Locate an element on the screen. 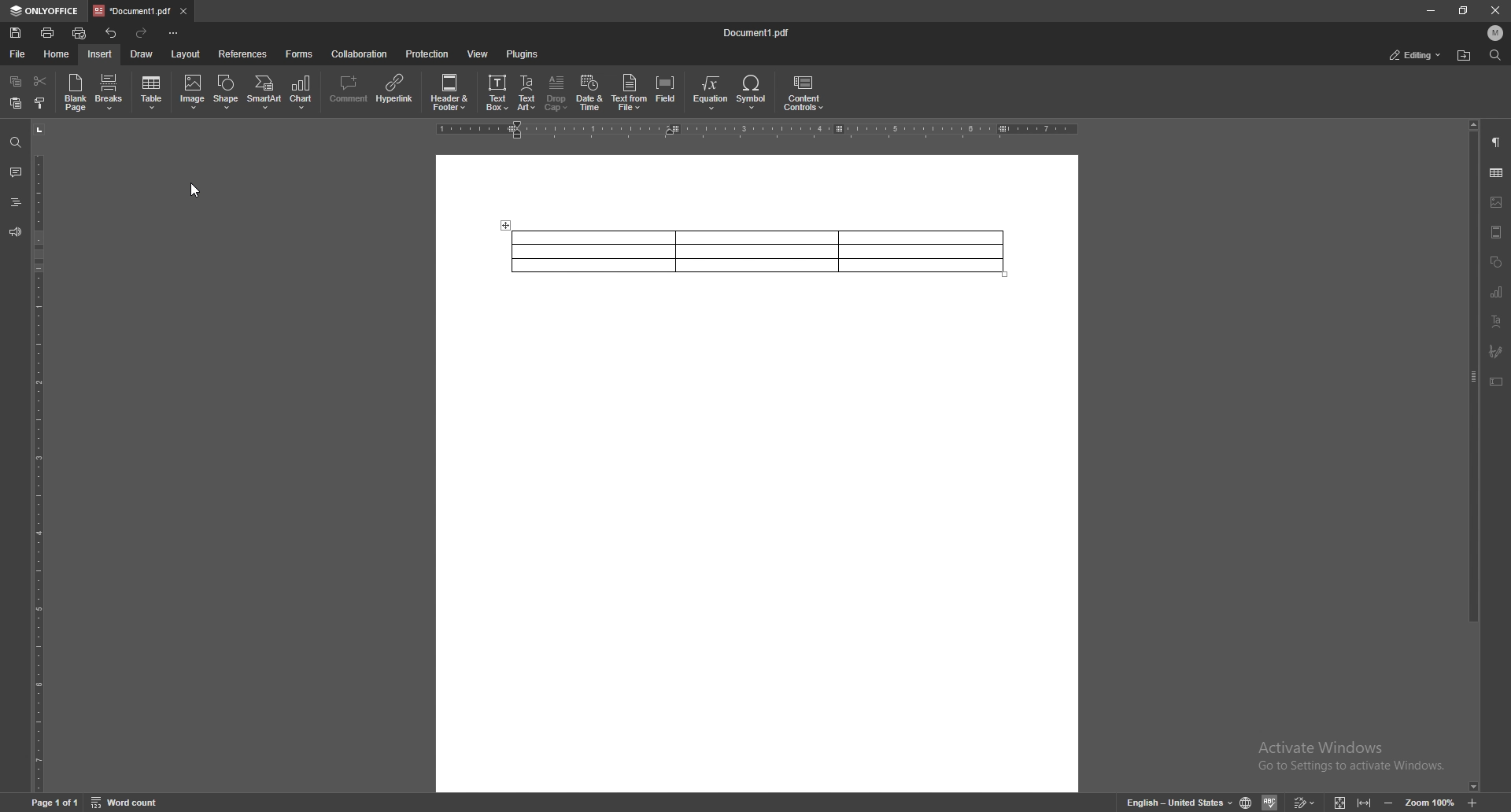  paste is located at coordinates (16, 103).